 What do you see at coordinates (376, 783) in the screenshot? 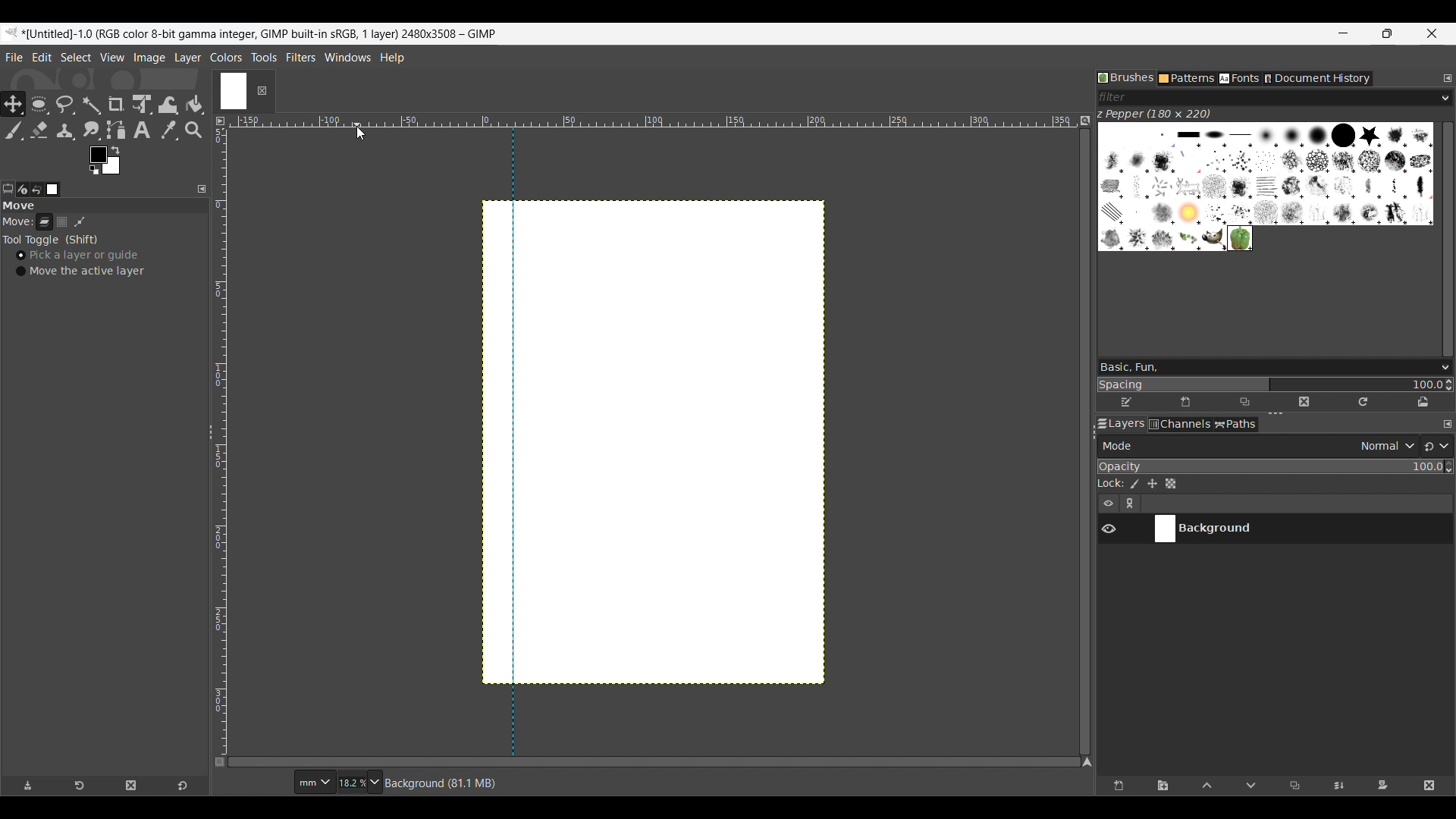
I see `Zoom options` at bounding box center [376, 783].